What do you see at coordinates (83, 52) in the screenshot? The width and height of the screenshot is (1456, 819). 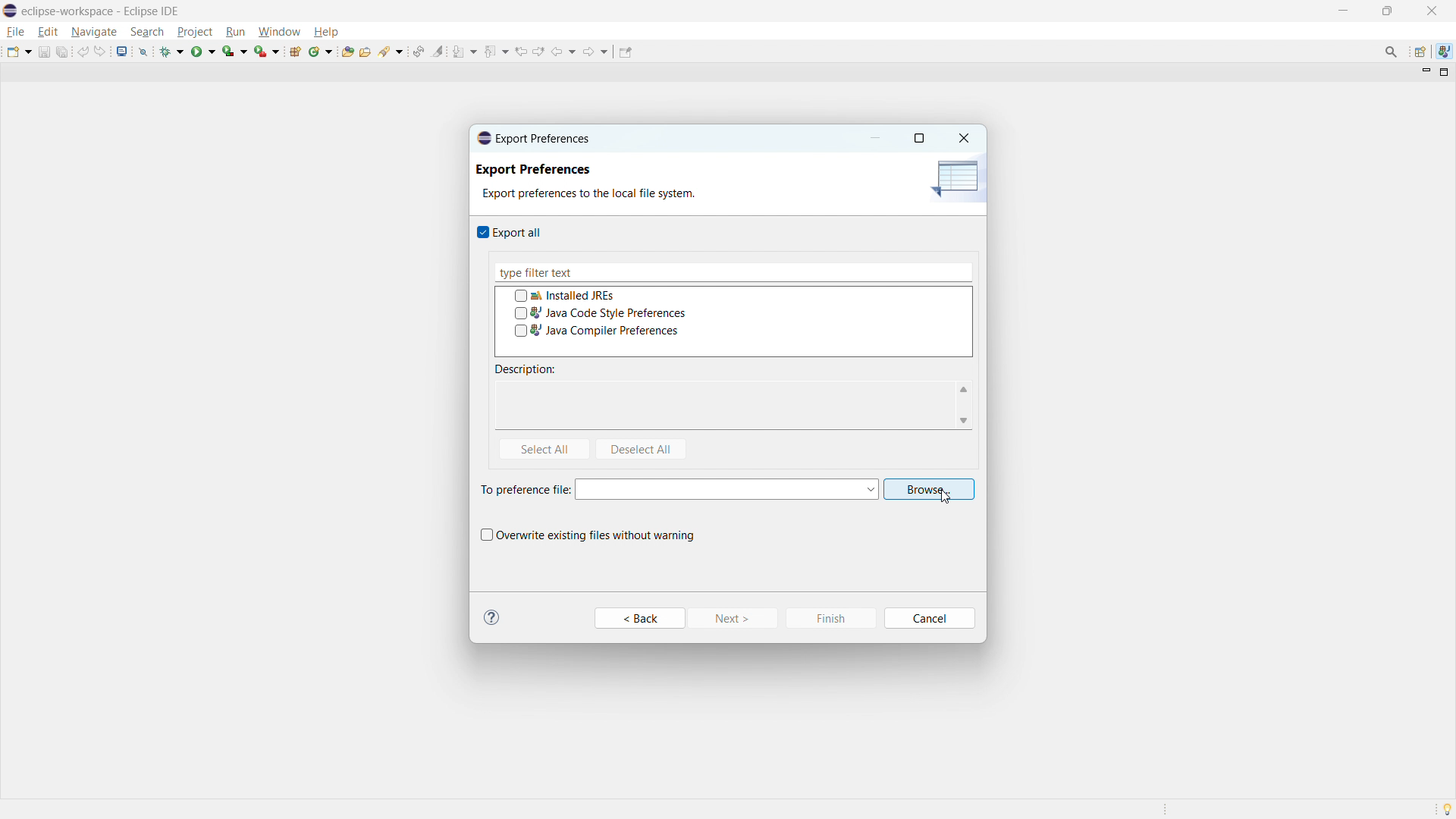 I see `undo` at bounding box center [83, 52].